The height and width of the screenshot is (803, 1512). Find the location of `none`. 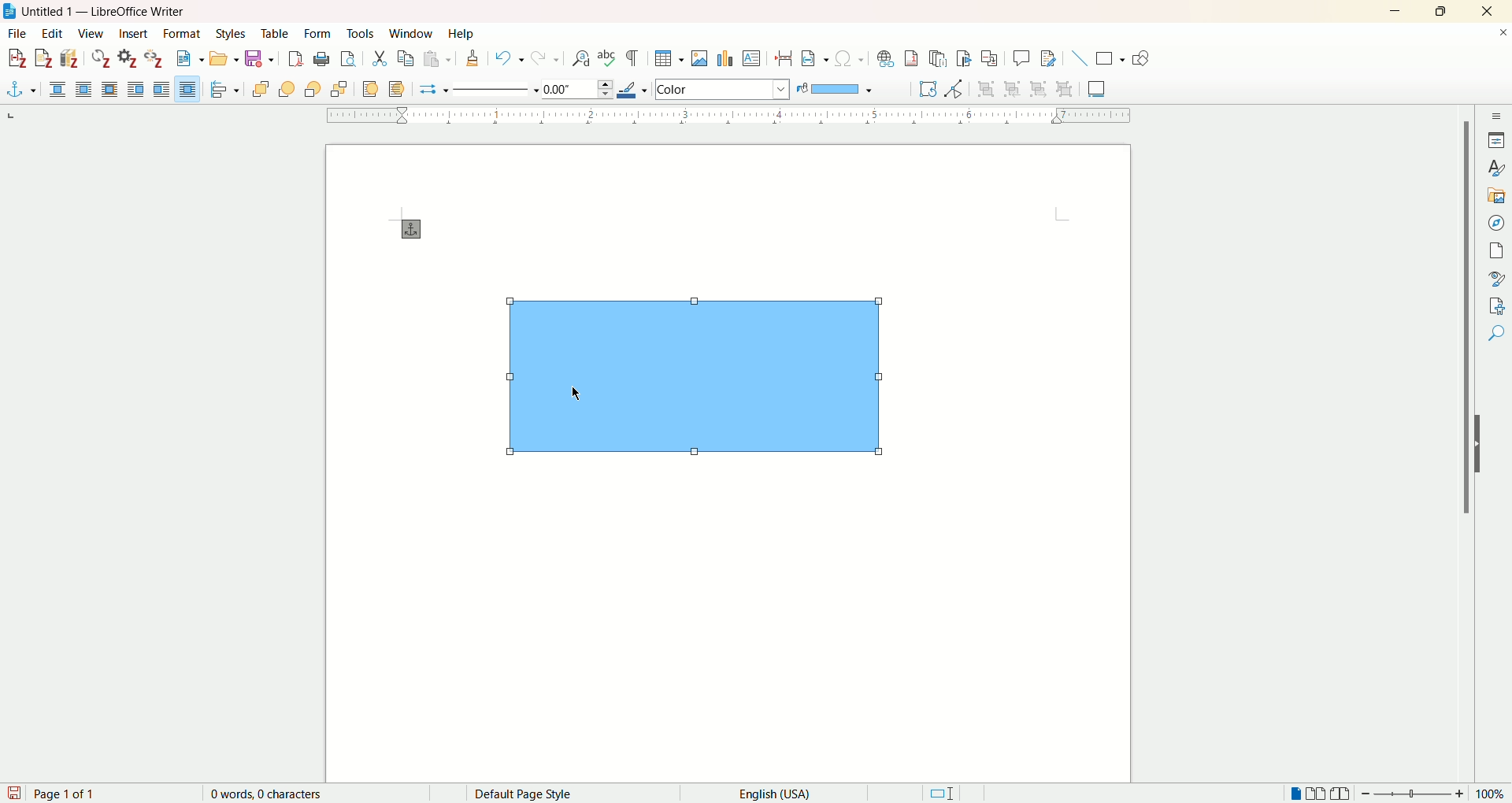

none is located at coordinates (59, 91).